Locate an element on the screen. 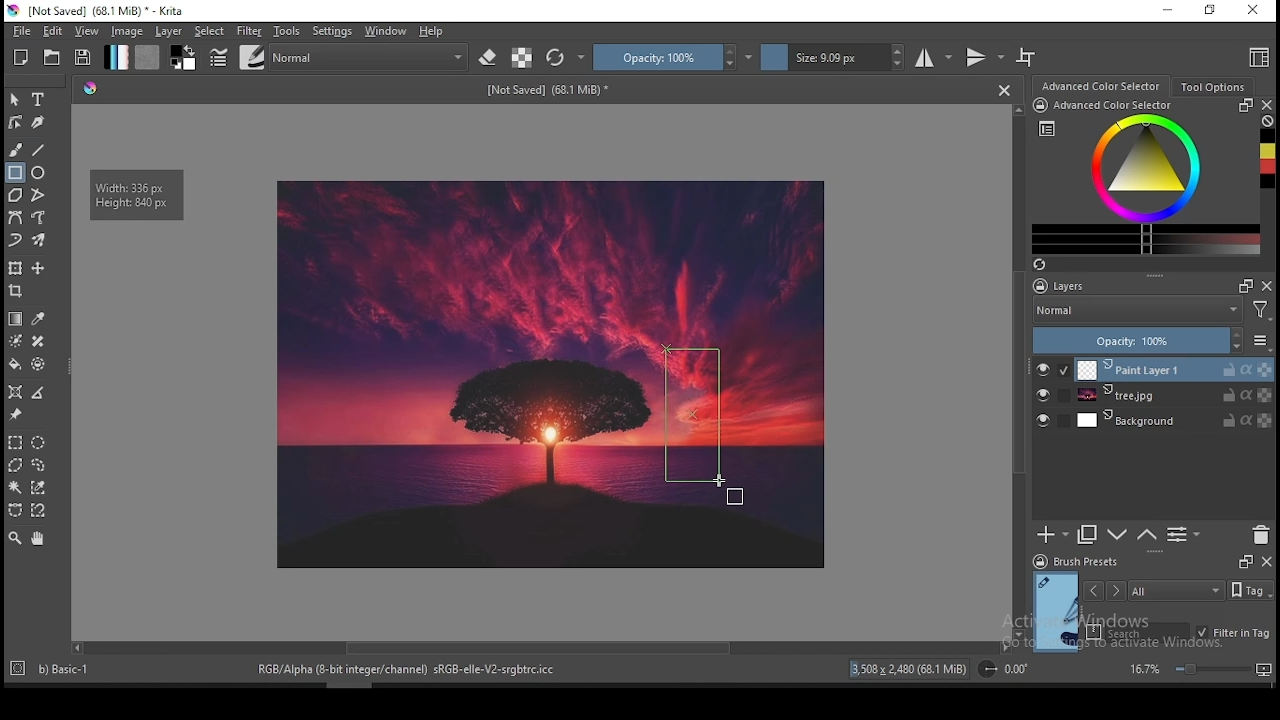 This screenshot has width=1280, height=720. similar color selection tool is located at coordinates (39, 487).